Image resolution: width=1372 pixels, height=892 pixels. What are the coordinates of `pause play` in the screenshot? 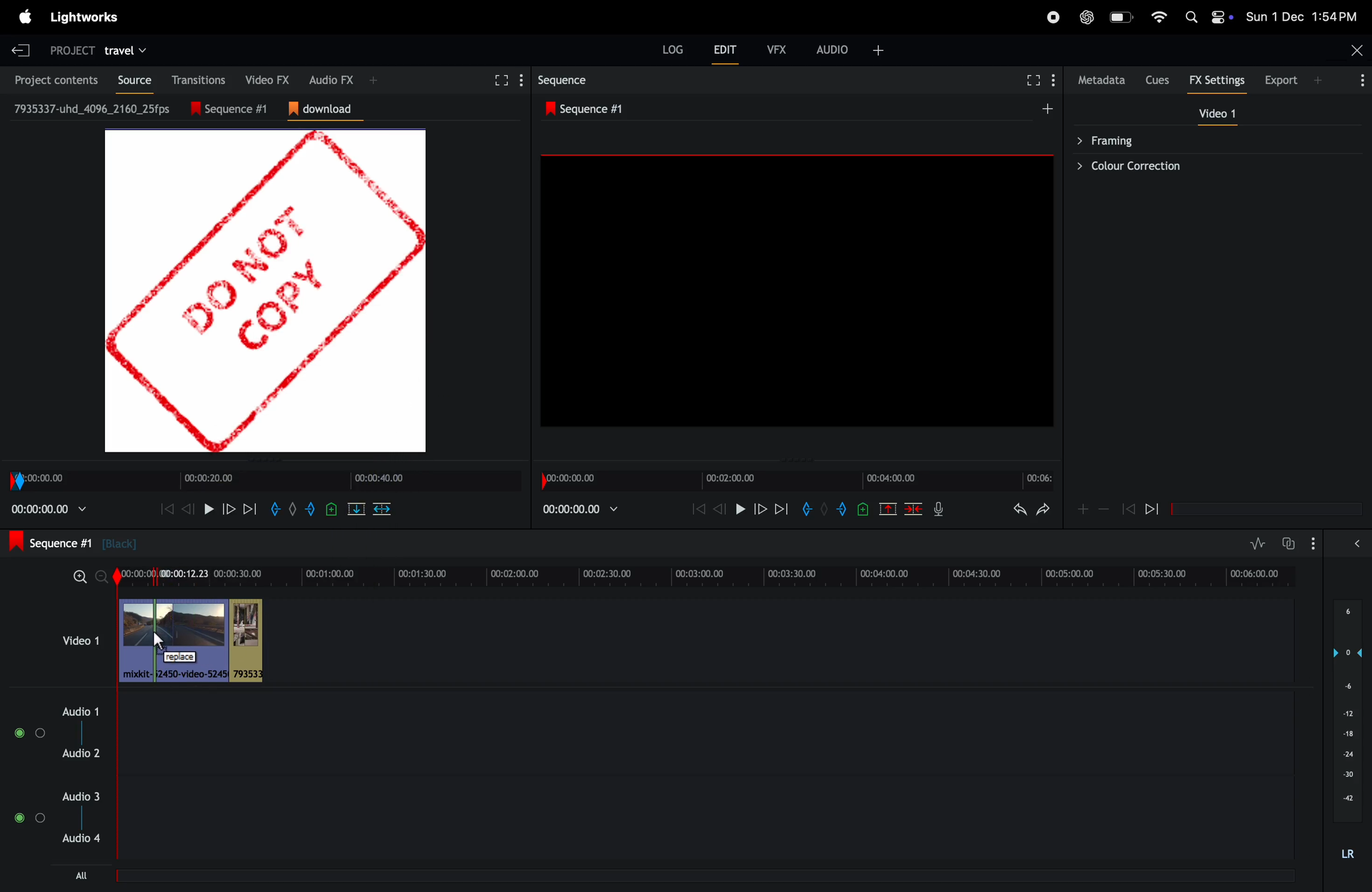 It's located at (740, 508).